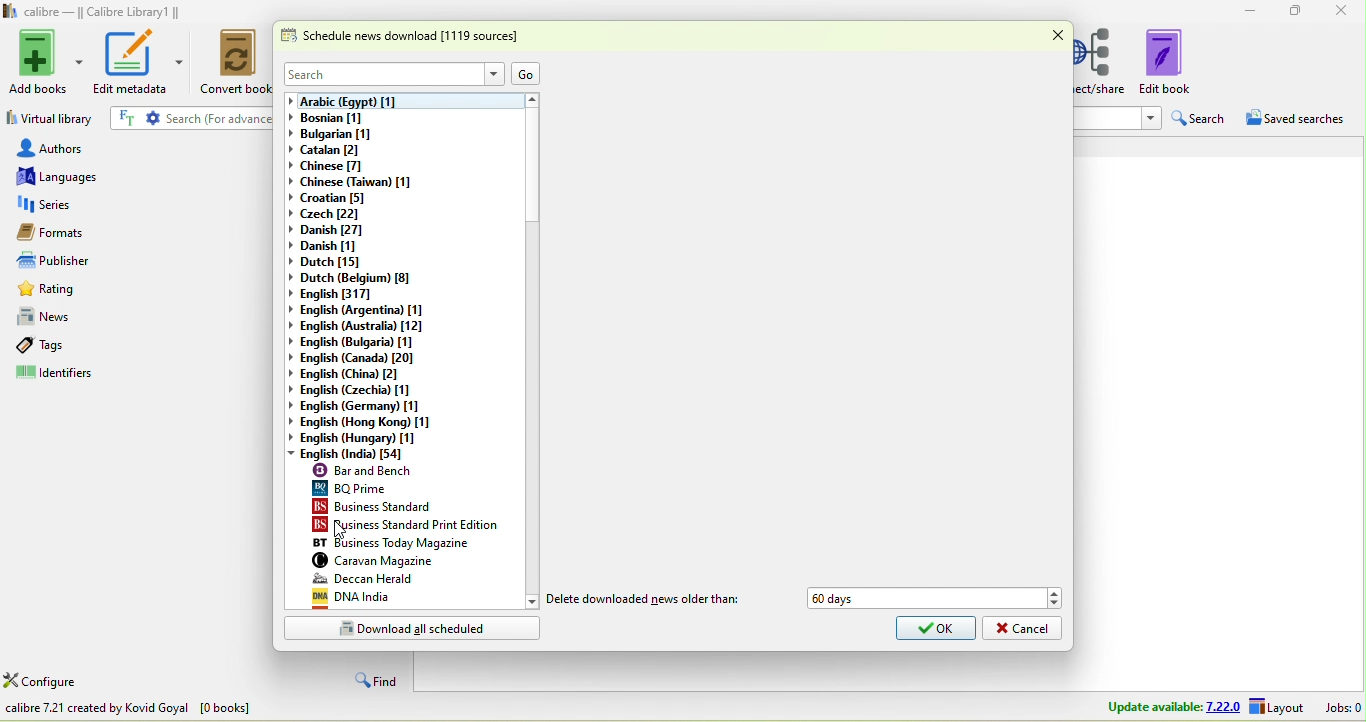 Image resolution: width=1366 pixels, height=722 pixels. I want to click on english[317], so click(353, 294).